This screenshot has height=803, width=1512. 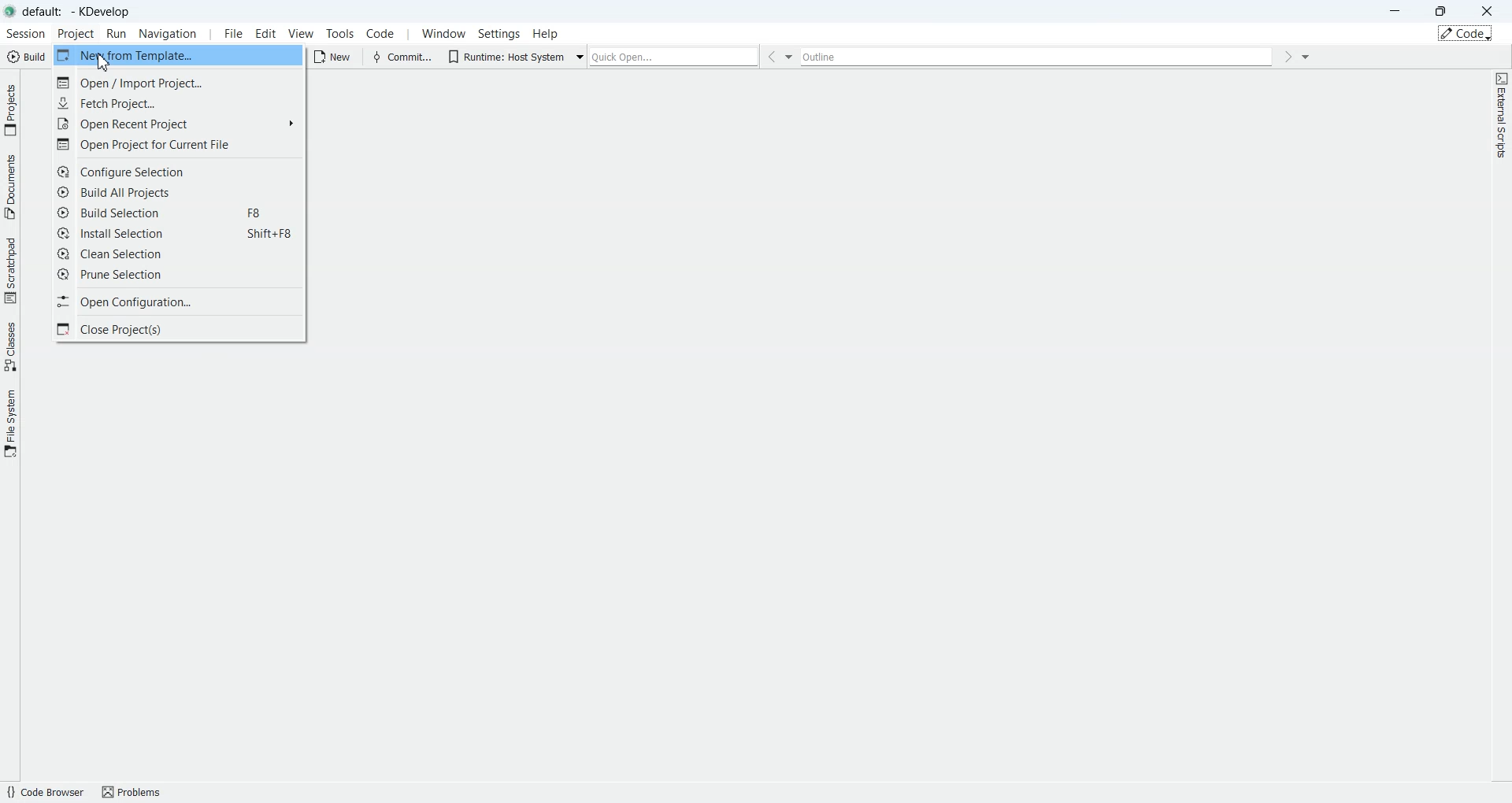 I want to click on Problems, so click(x=137, y=791).